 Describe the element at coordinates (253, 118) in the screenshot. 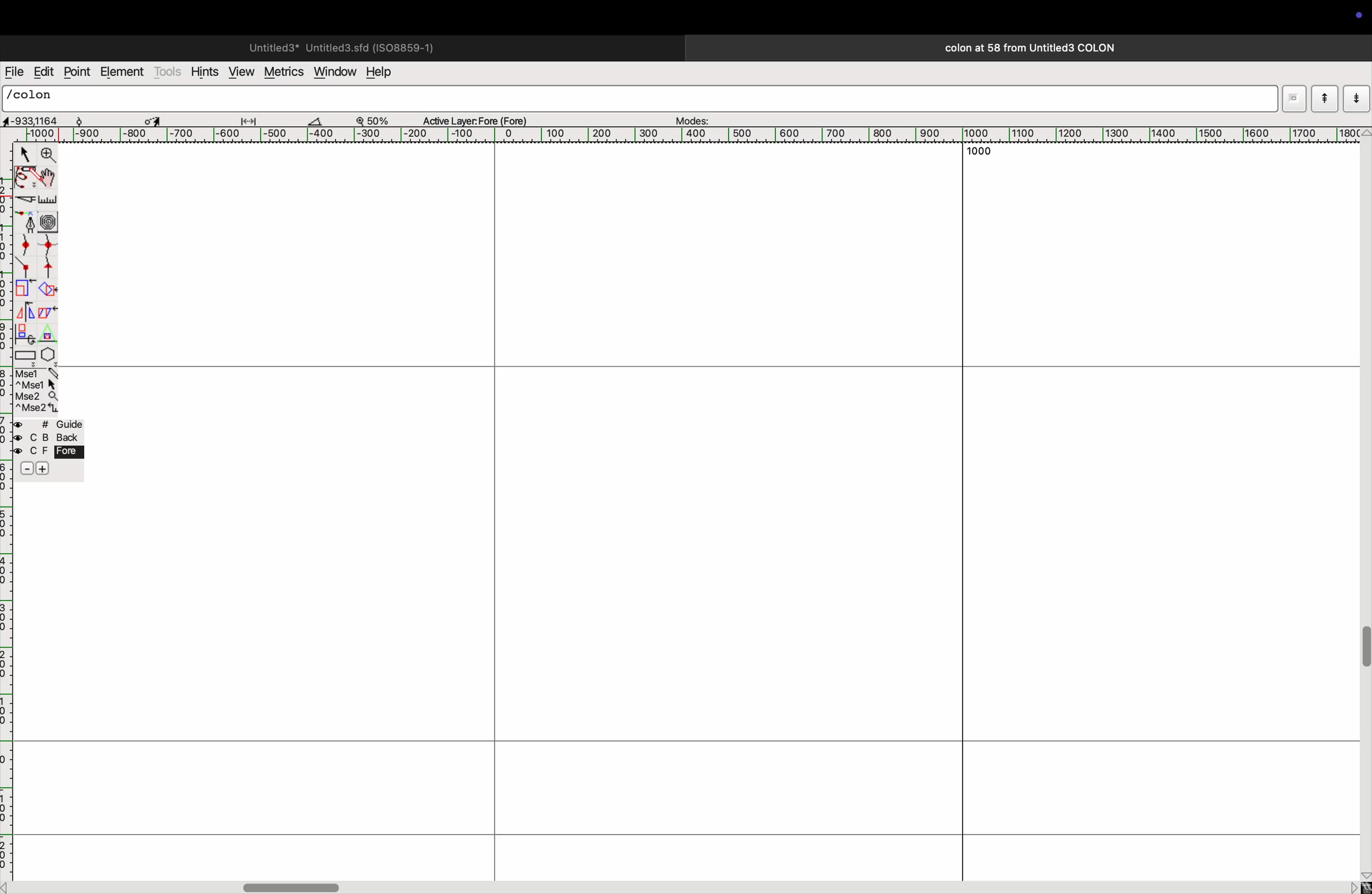

I see `adjust` at that location.